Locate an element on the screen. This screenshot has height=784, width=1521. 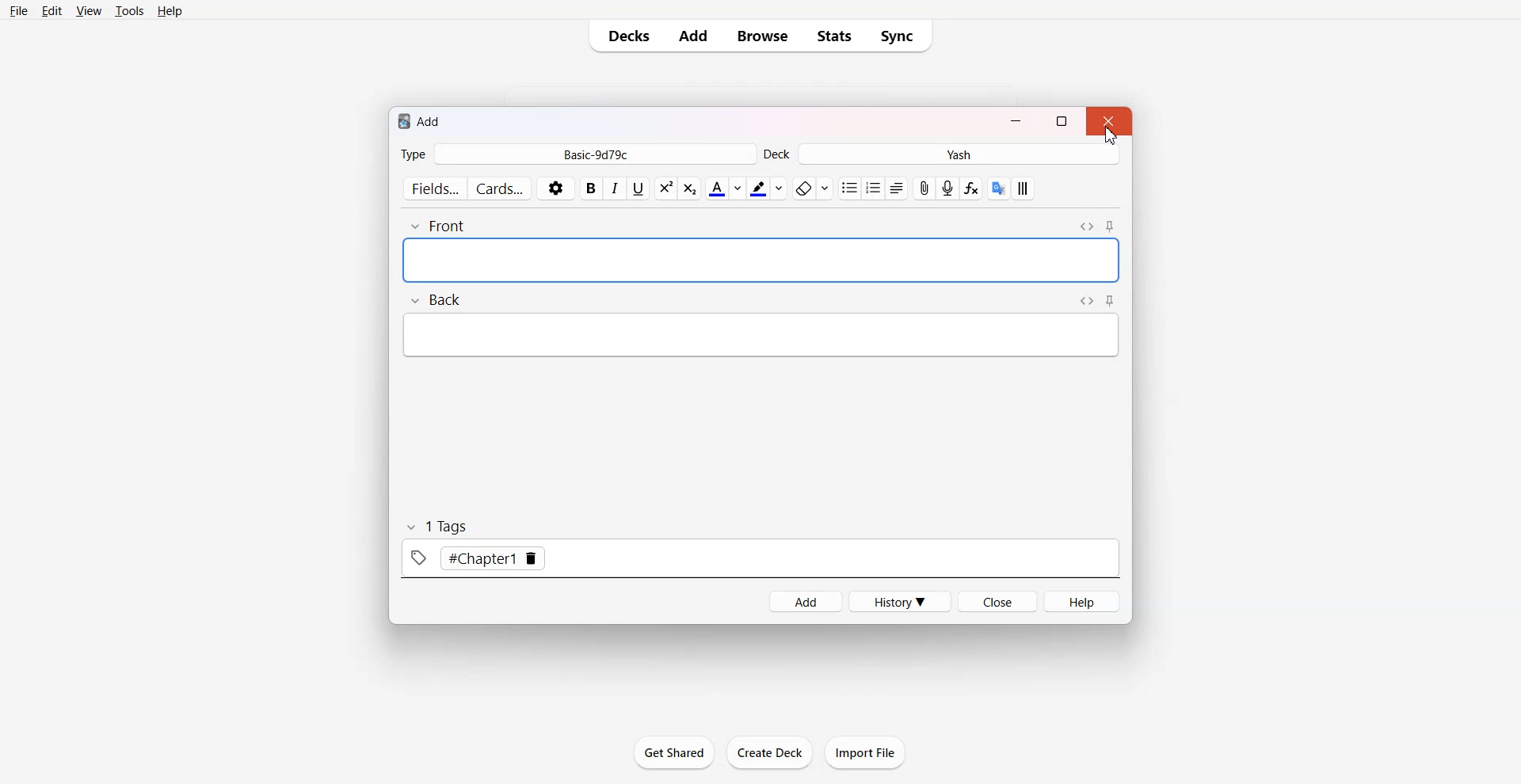
Italic is located at coordinates (616, 189).